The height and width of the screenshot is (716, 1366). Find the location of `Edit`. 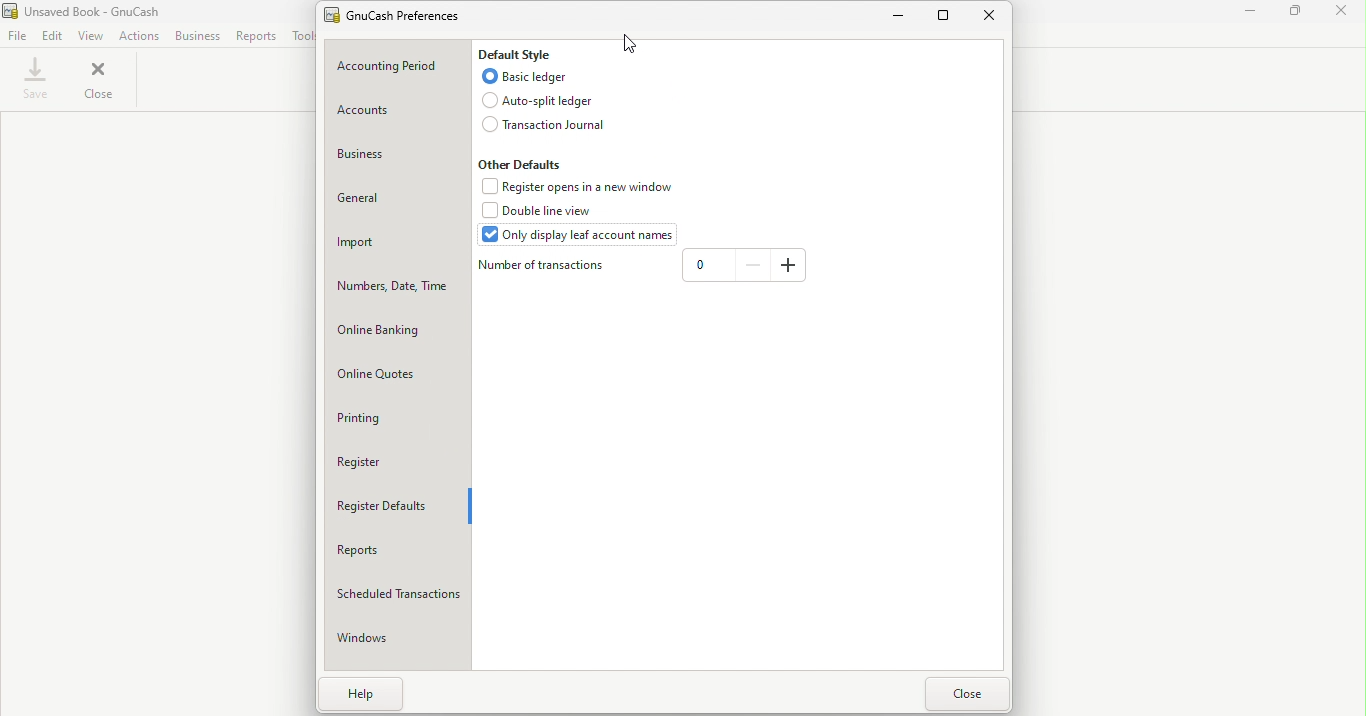

Edit is located at coordinates (54, 35).